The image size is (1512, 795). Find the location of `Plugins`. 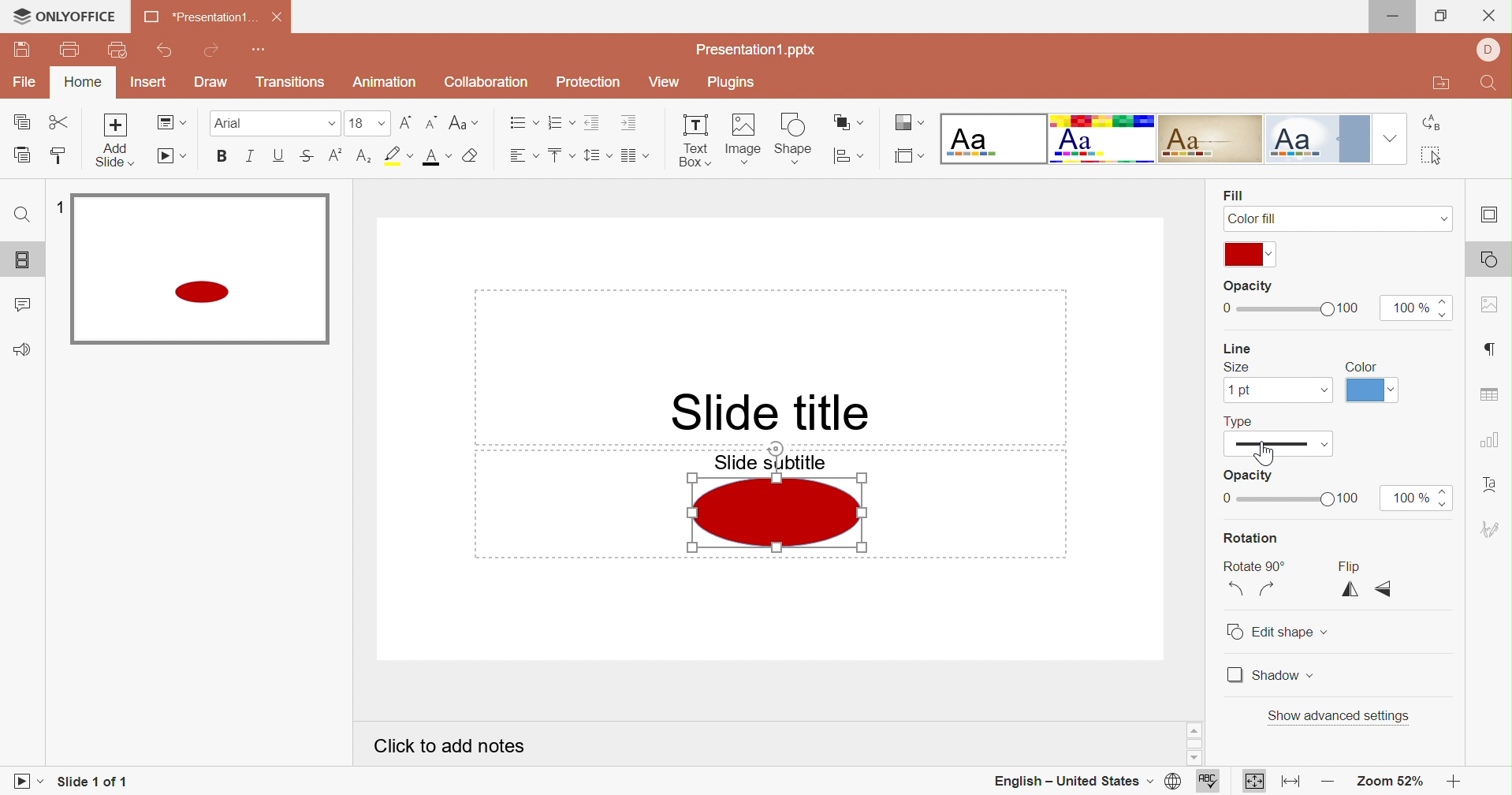

Plugins is located at coordinates (735, 82).